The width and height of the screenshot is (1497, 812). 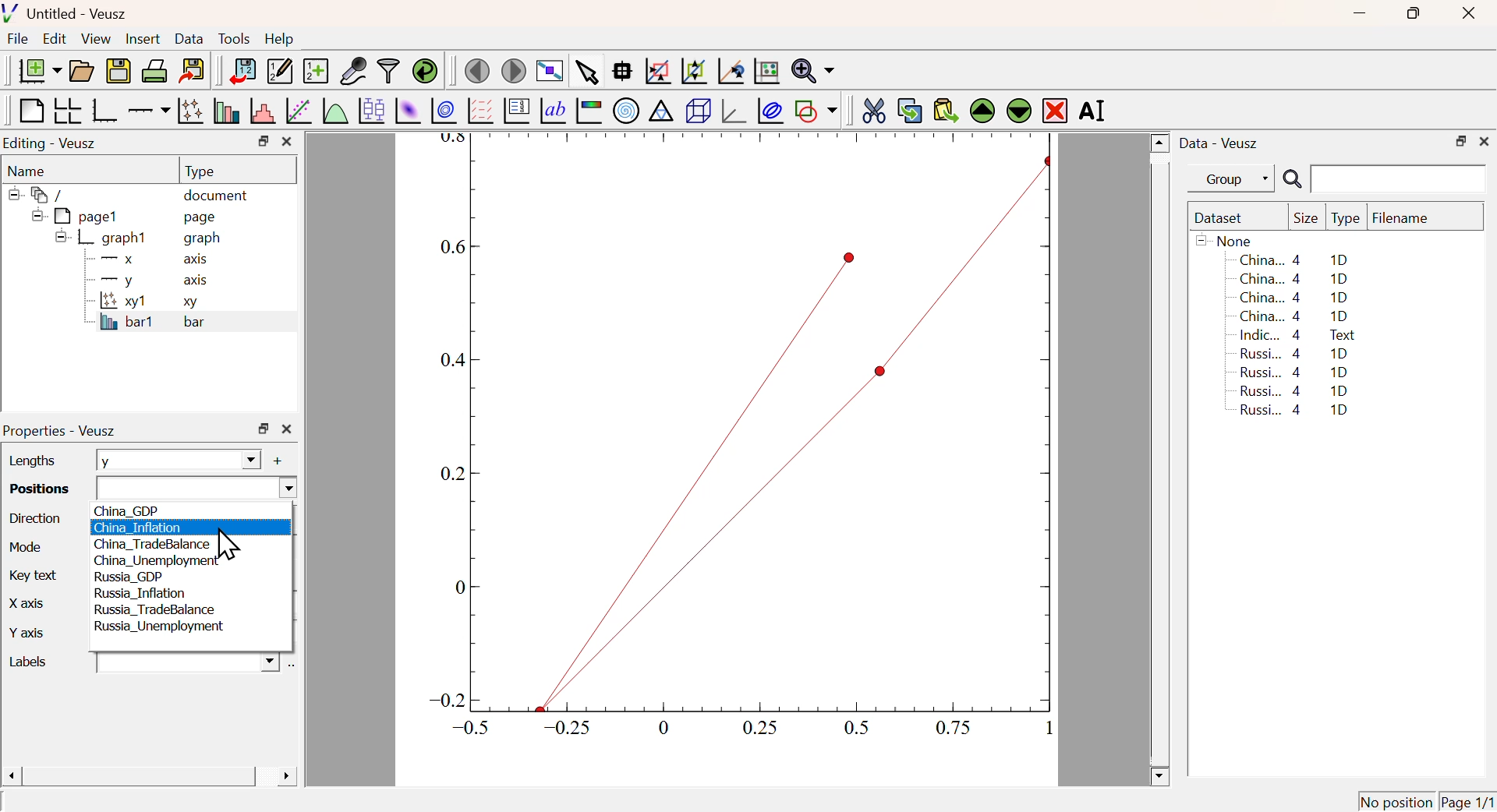 I want to click on Previous Page, so click(x=478, y=72).